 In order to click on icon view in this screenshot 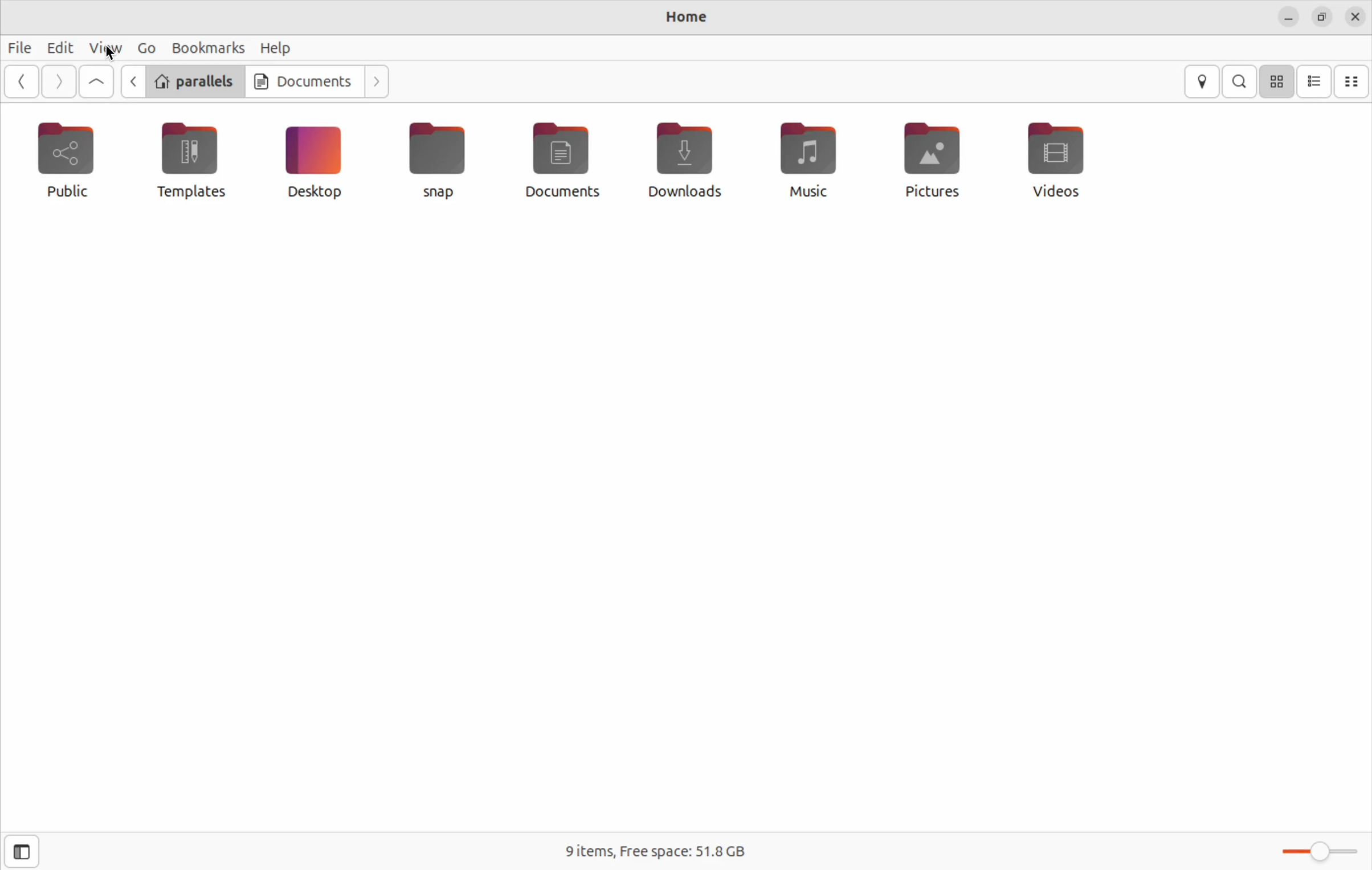, I will do `click(1277, 80)`.